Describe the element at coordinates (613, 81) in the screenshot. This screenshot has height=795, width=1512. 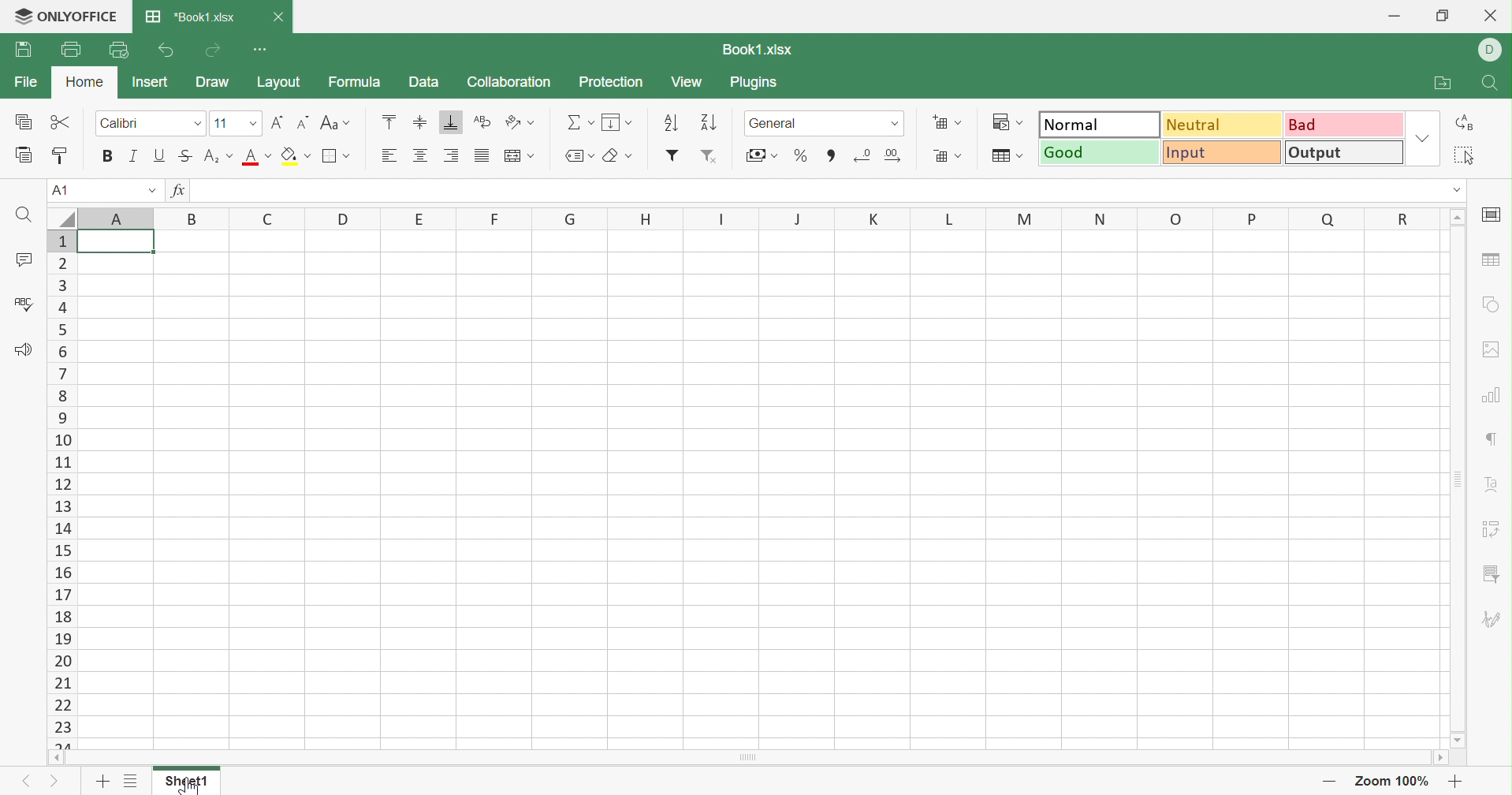
I see `Protection` at that location.